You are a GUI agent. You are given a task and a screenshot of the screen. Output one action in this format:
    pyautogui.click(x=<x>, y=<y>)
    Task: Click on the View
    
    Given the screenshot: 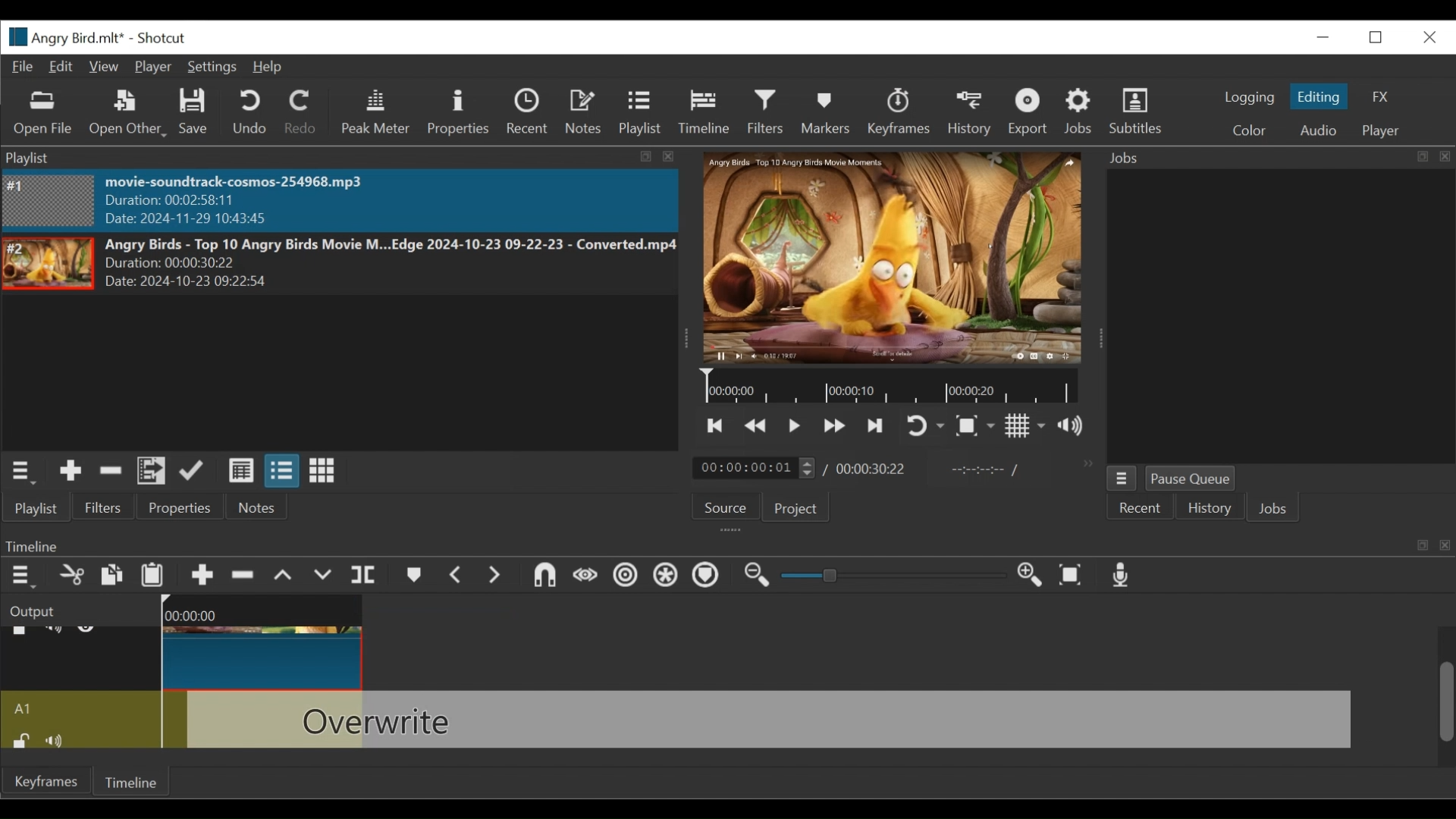 What is the action you would take?
    pyautogui.click(x=104, y=66)
    